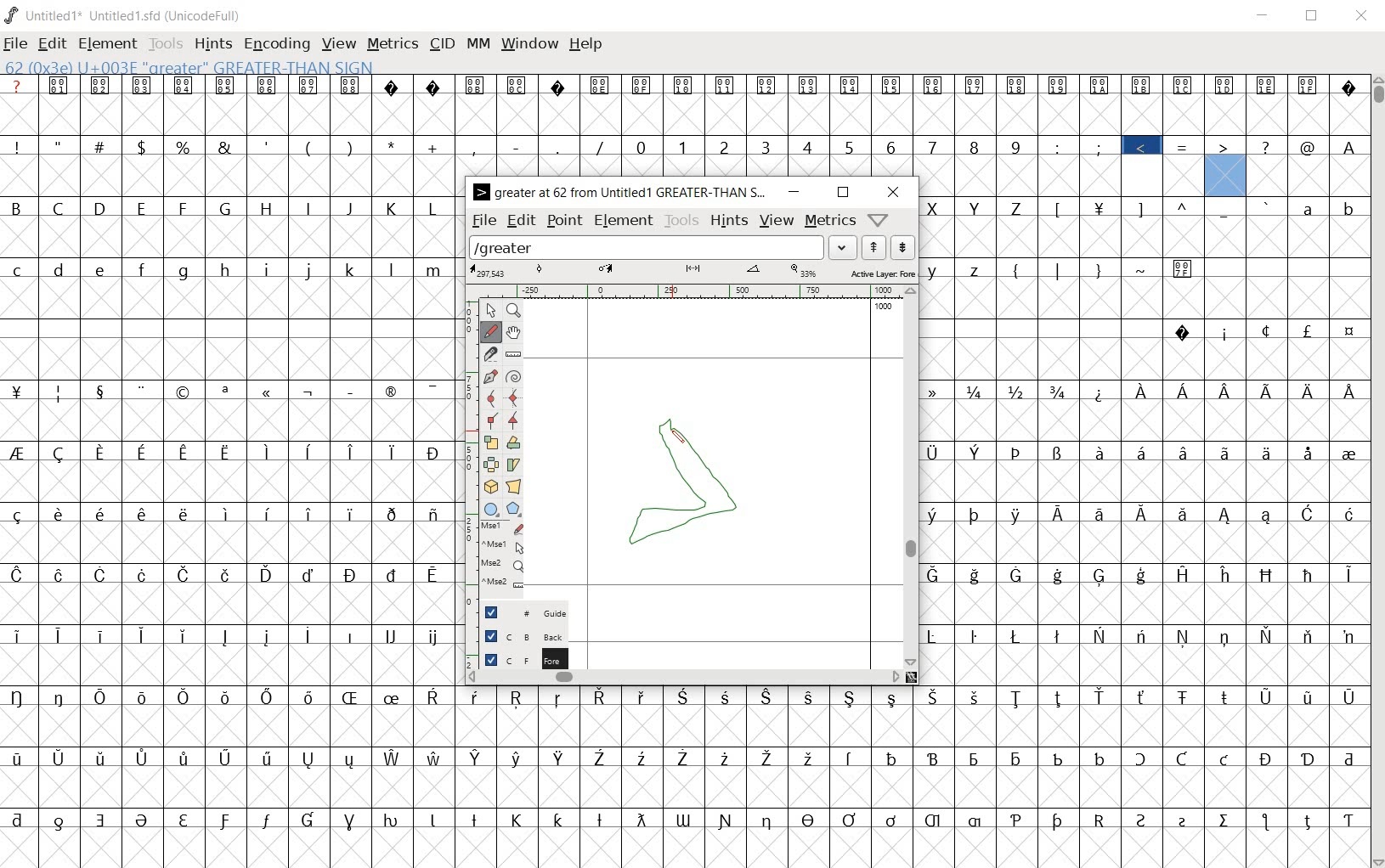  What do you see at coordinates (518, 636) in the screenshot?
I see `background` at bounding box center [518, 636].